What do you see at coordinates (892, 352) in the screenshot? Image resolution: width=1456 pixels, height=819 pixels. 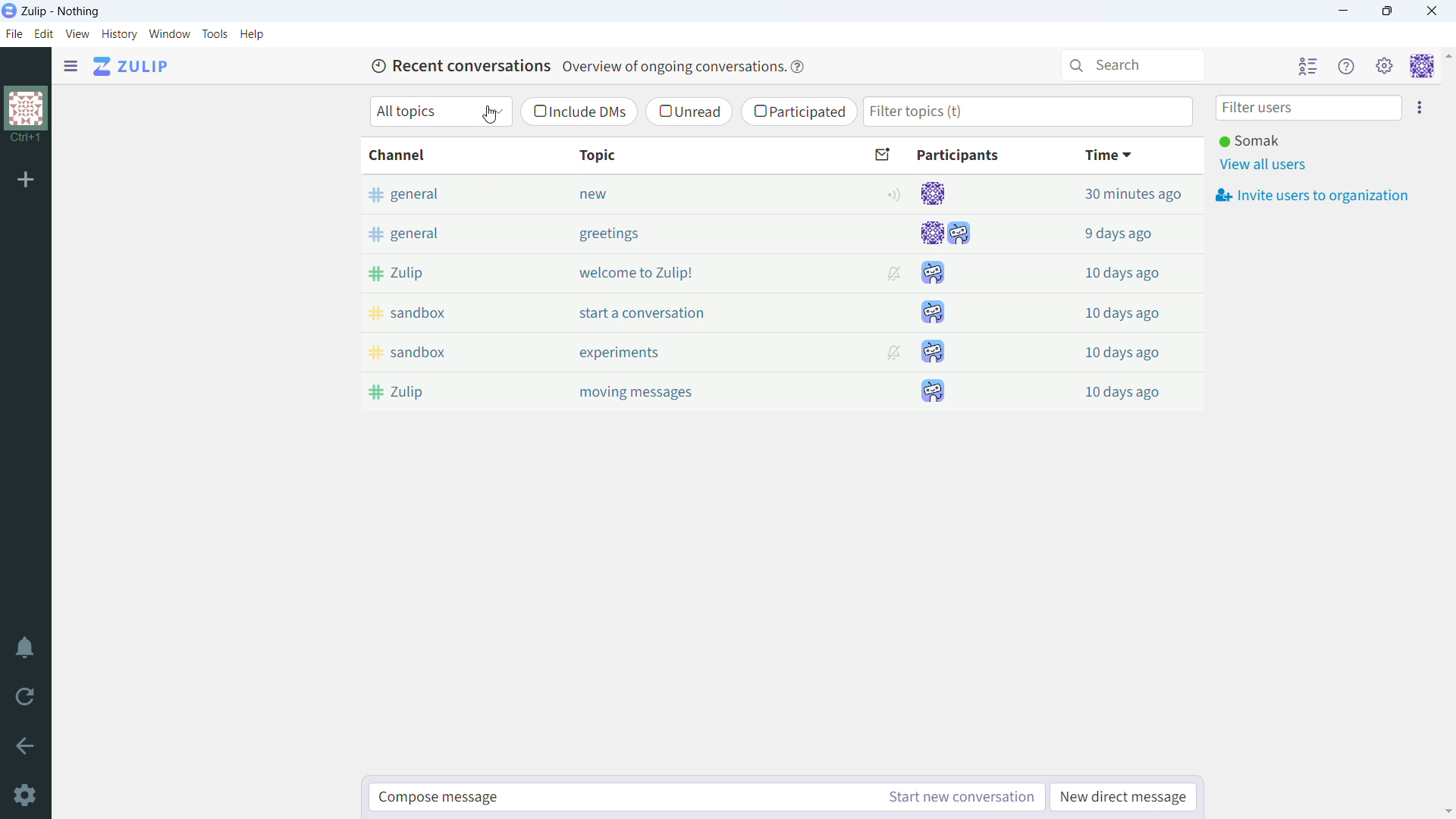 I see `muted` at bounding box center [892, 352].